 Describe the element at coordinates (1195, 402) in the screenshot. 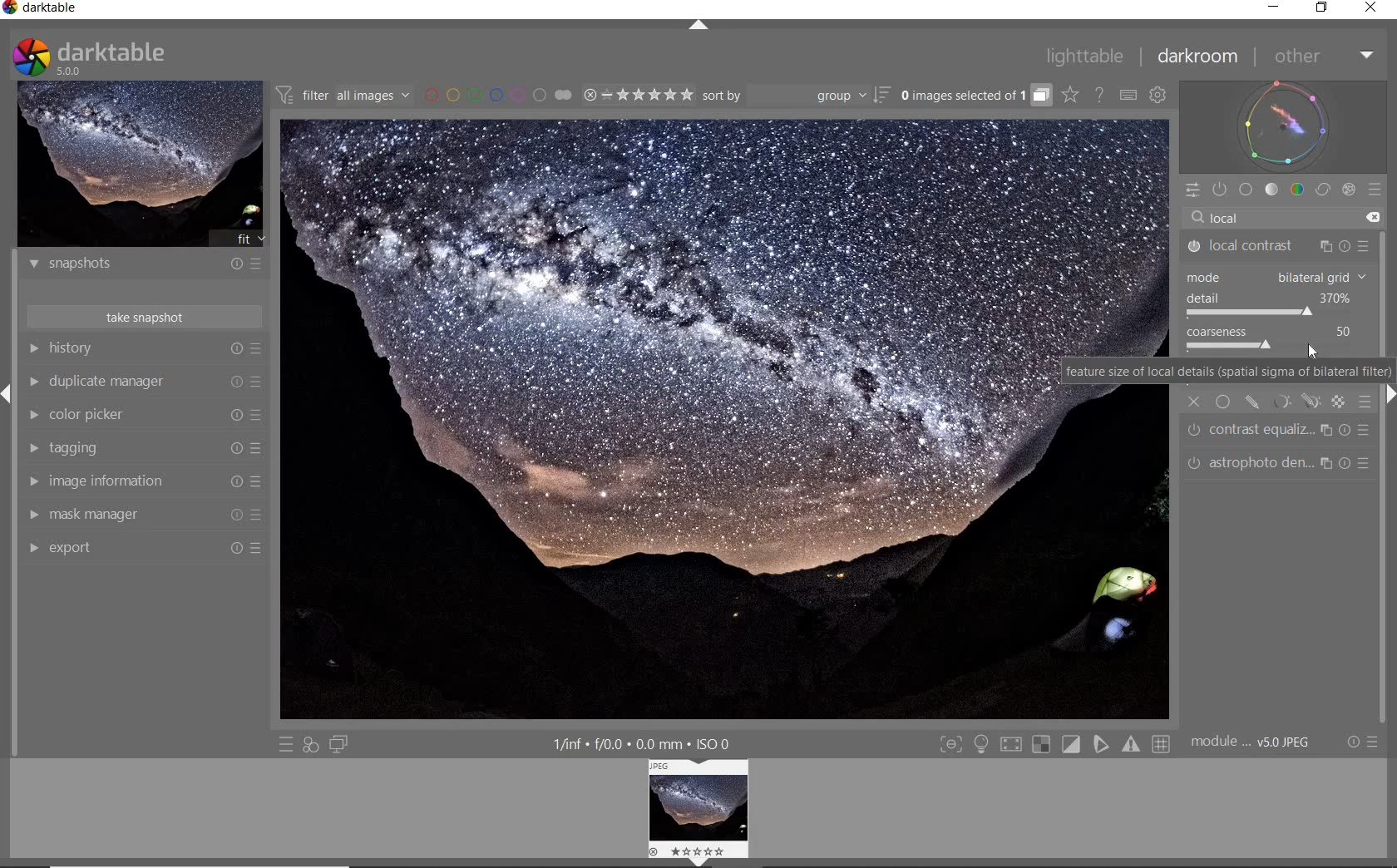

I see `off` at that location.